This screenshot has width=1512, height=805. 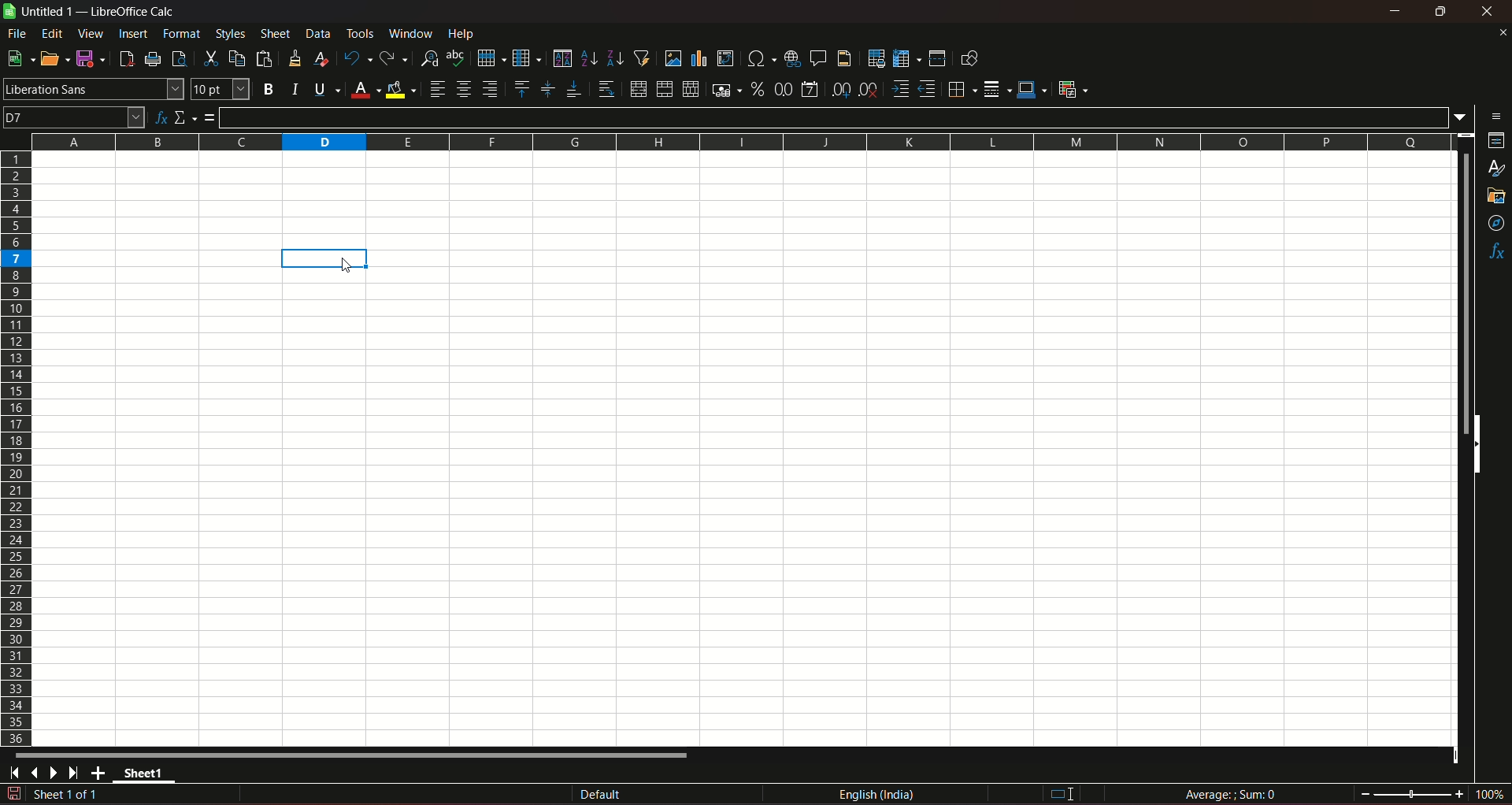 What do you see at coordinates (154, 61) in the screenshot?
I see `print` at bounding box center [154, 61].